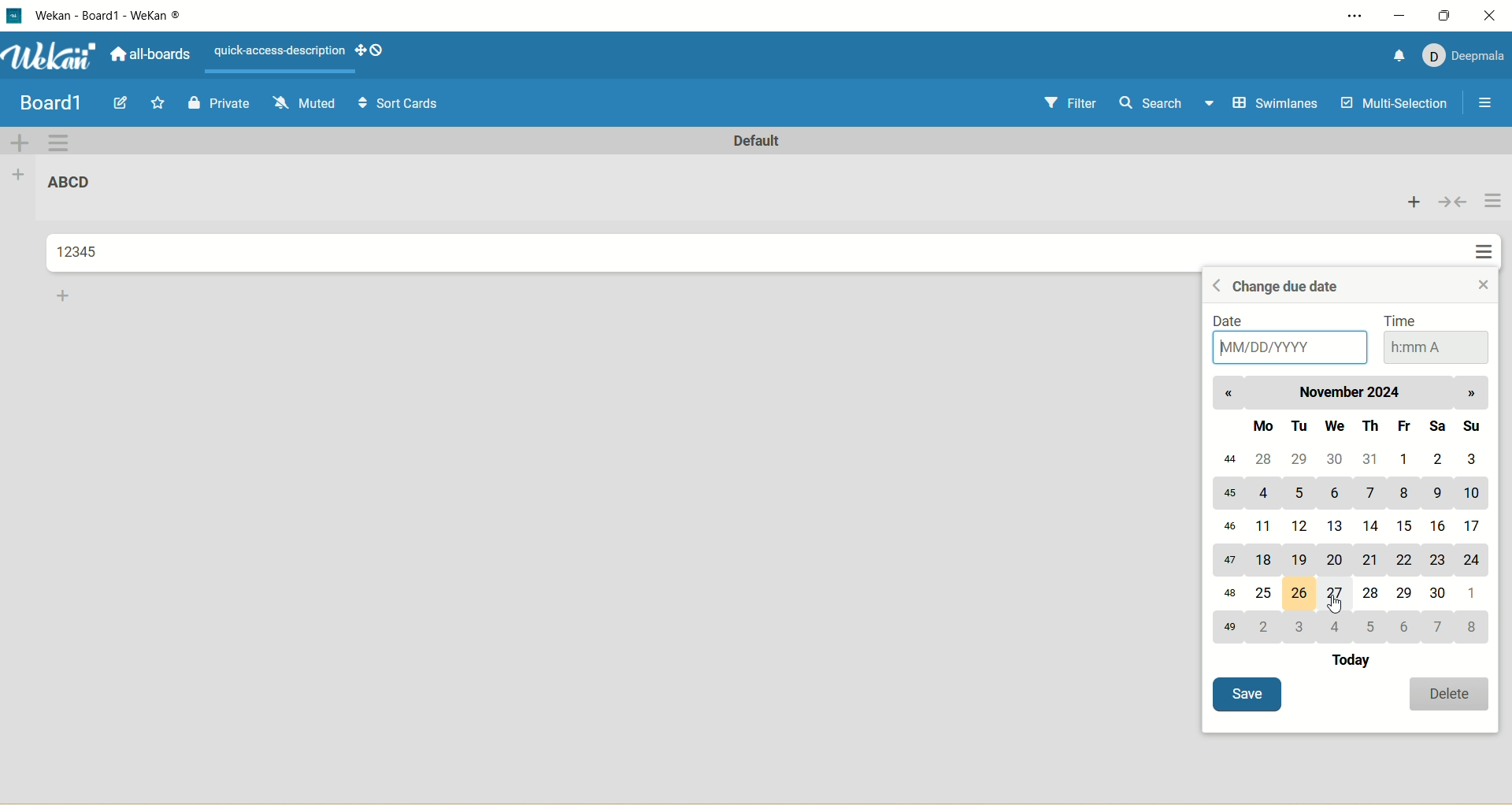 This screenshot has height=805, width=1512. Describe the element at coordinates (21, 178) in the screenshot. I see `add list` at that location.